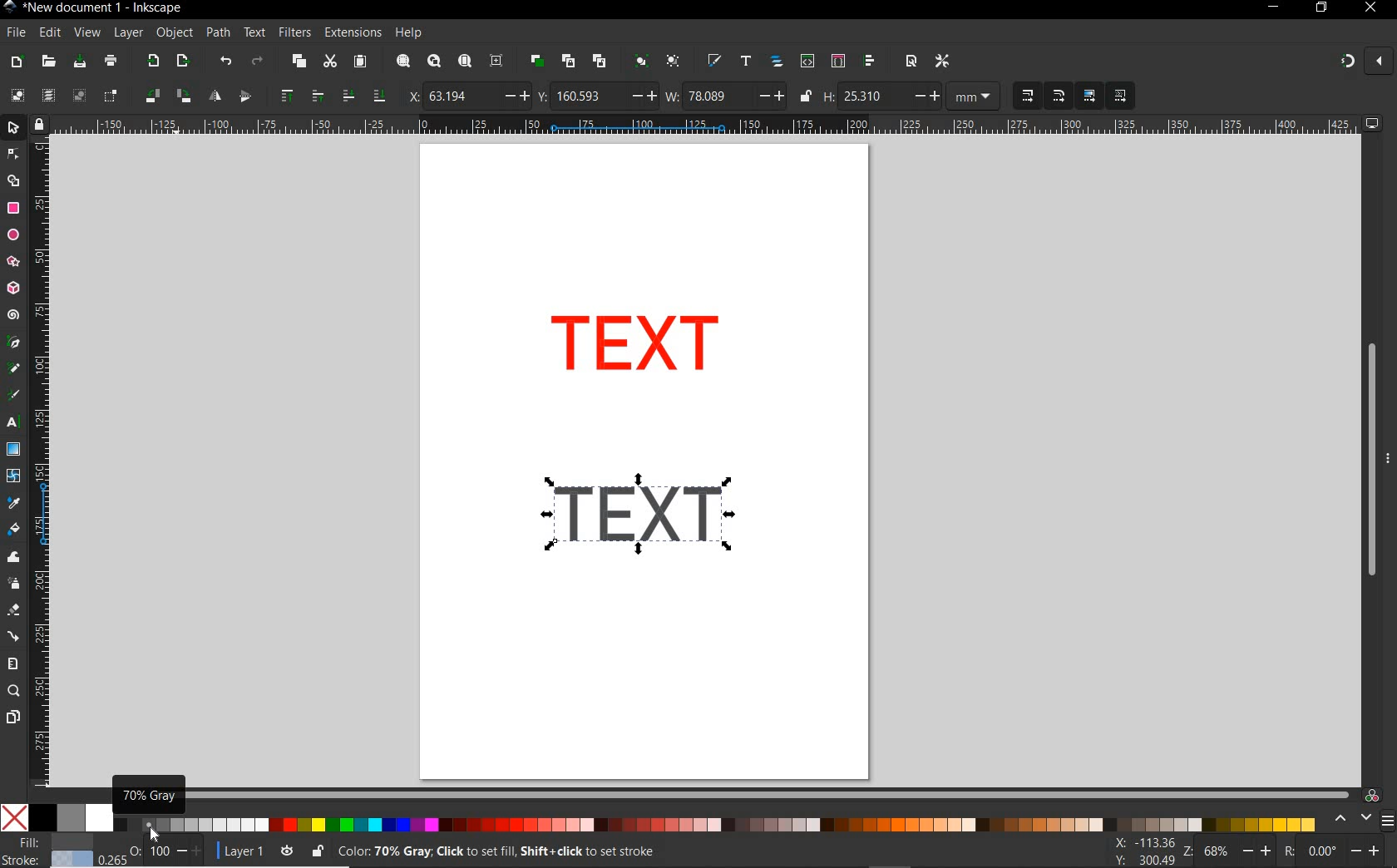  Describe the element at coordinates (637, 851) in the screenshot. I see `no objects selected` at that location.